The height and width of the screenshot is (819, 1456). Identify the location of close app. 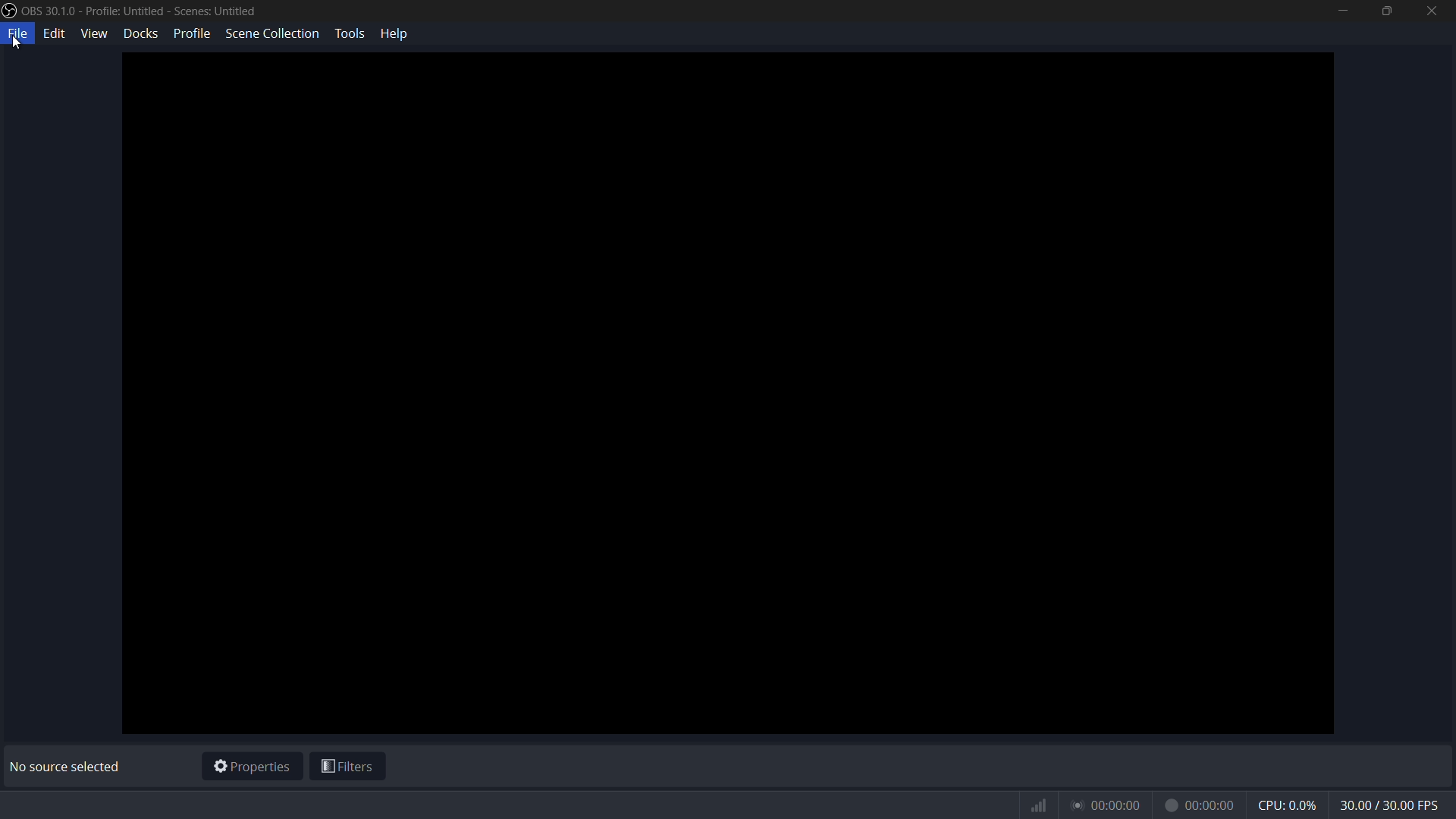
(1432, 11).